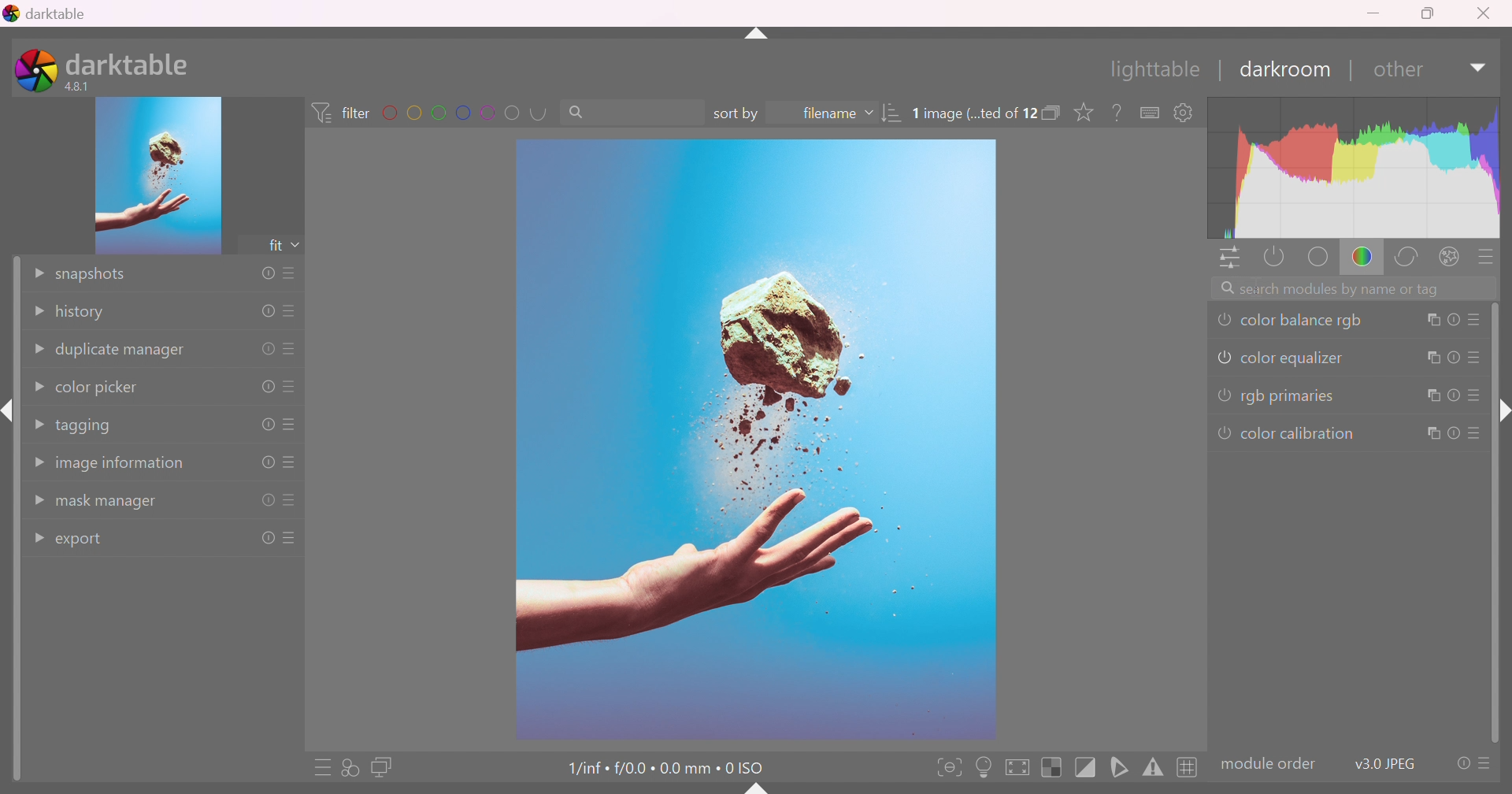 The width and height of the screenshot is (1512, 794). I want to click on image, so click(758, 440).